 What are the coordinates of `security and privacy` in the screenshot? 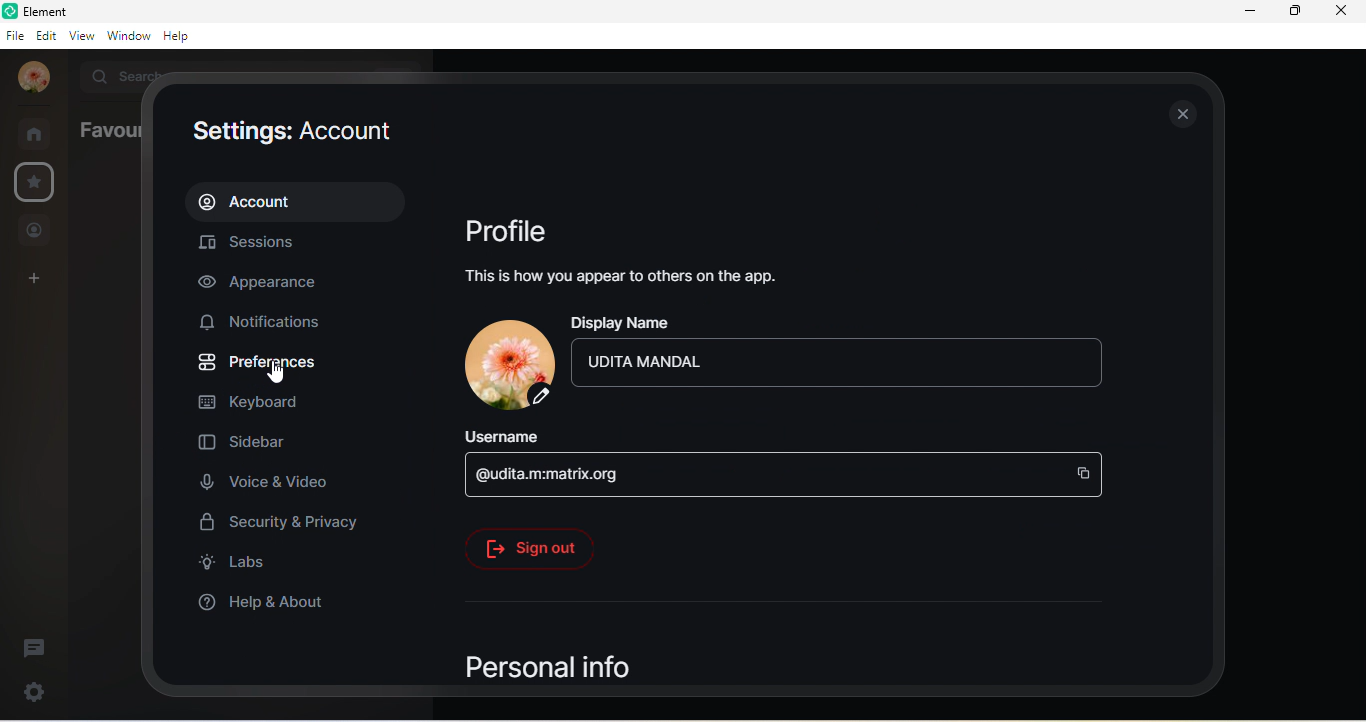 It's located at (282, 522).